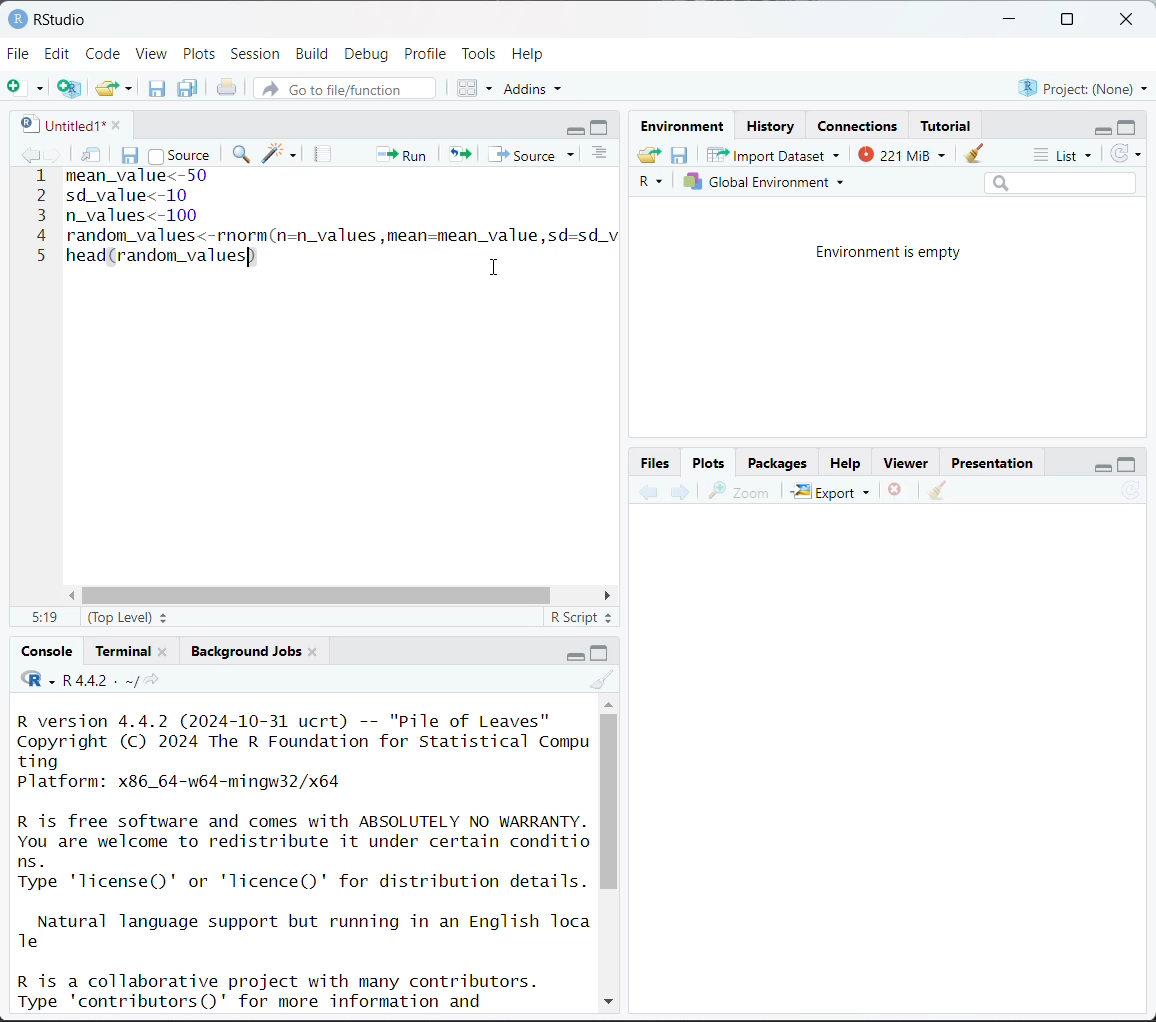  I want to click on print the current file, so click(228, 88).